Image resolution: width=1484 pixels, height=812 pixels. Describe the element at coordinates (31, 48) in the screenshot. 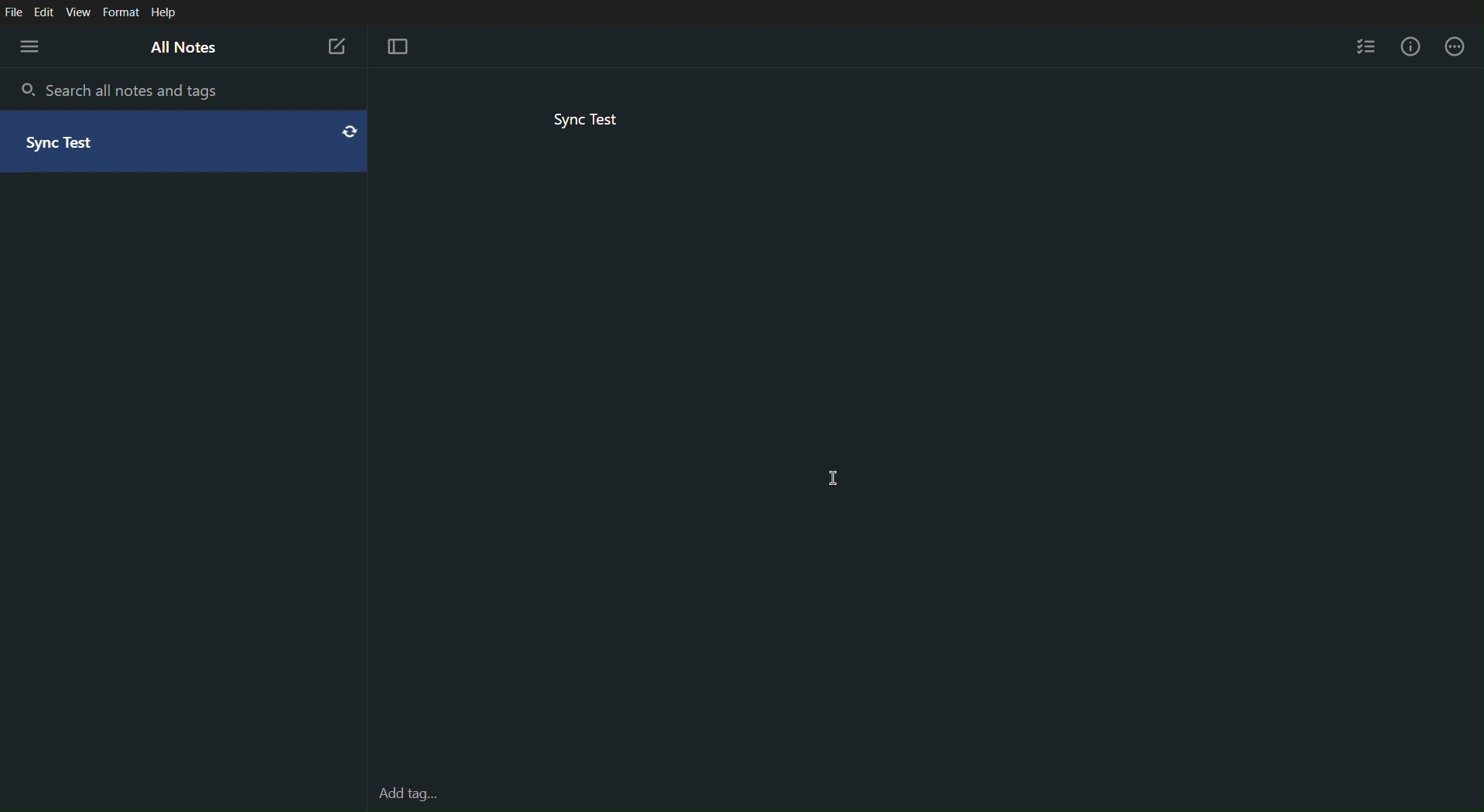

I see `Menu` at that location.